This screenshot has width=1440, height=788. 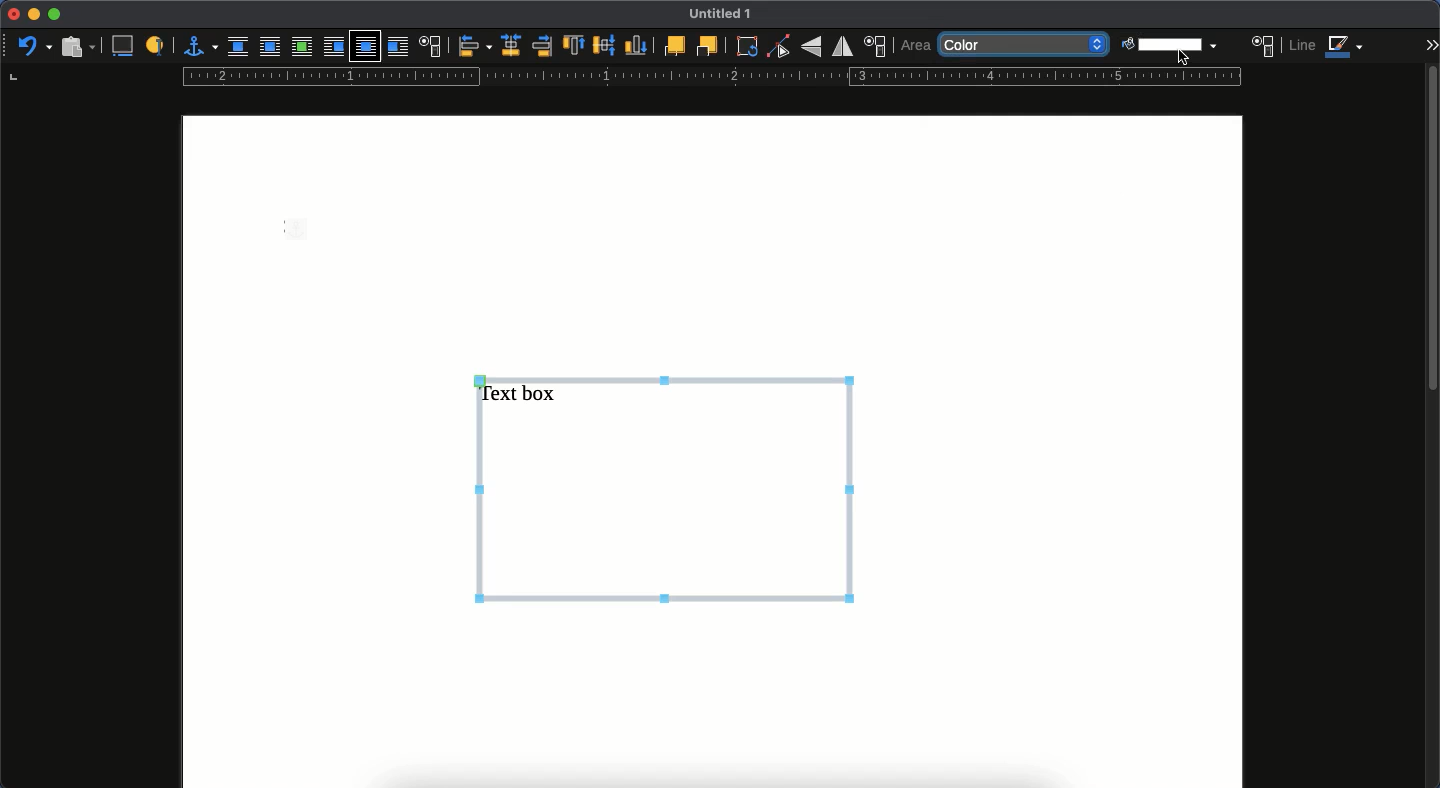 I want to click on centered, so click(x=509, y=46).